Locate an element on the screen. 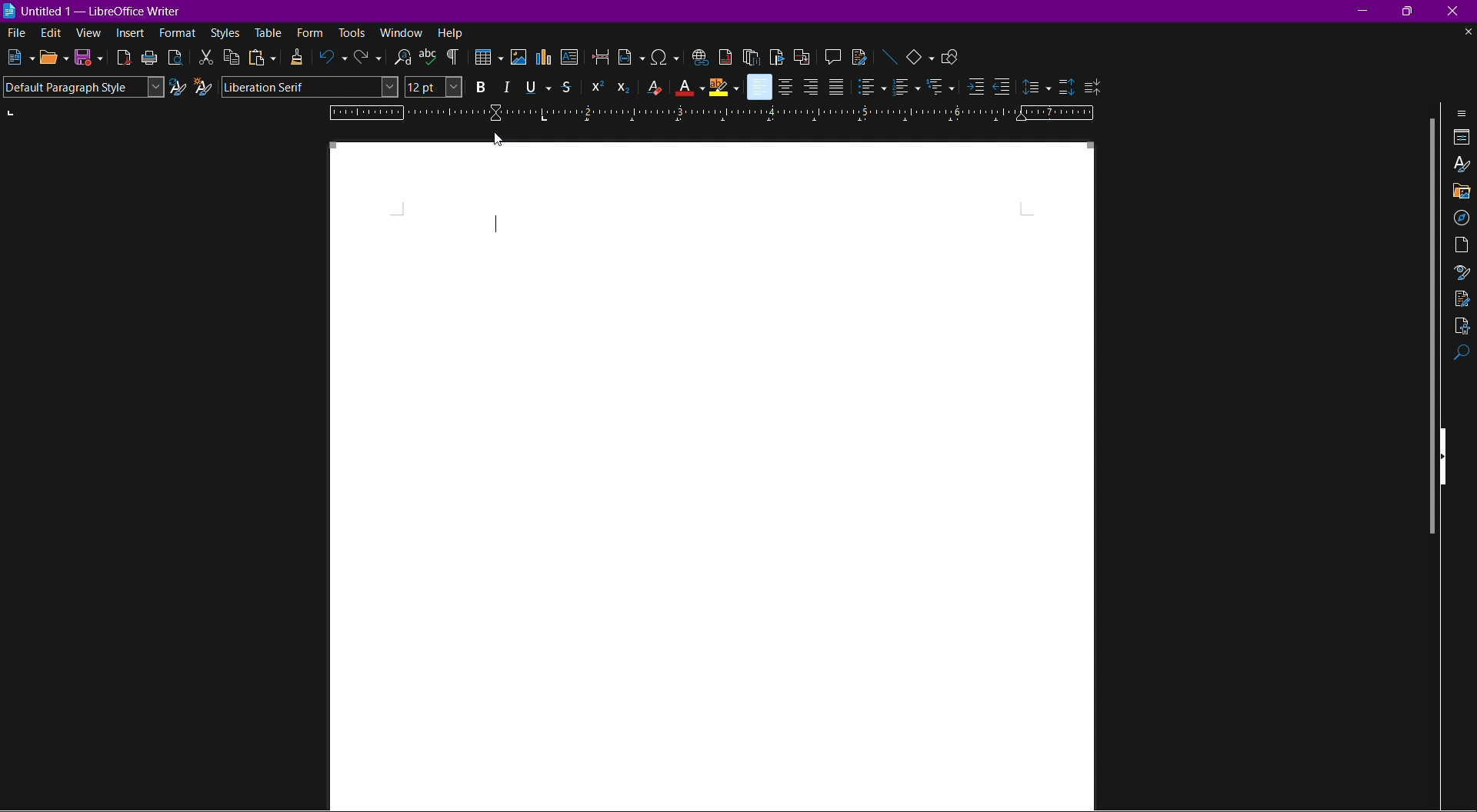  edit is located at coordinates (50, 33).